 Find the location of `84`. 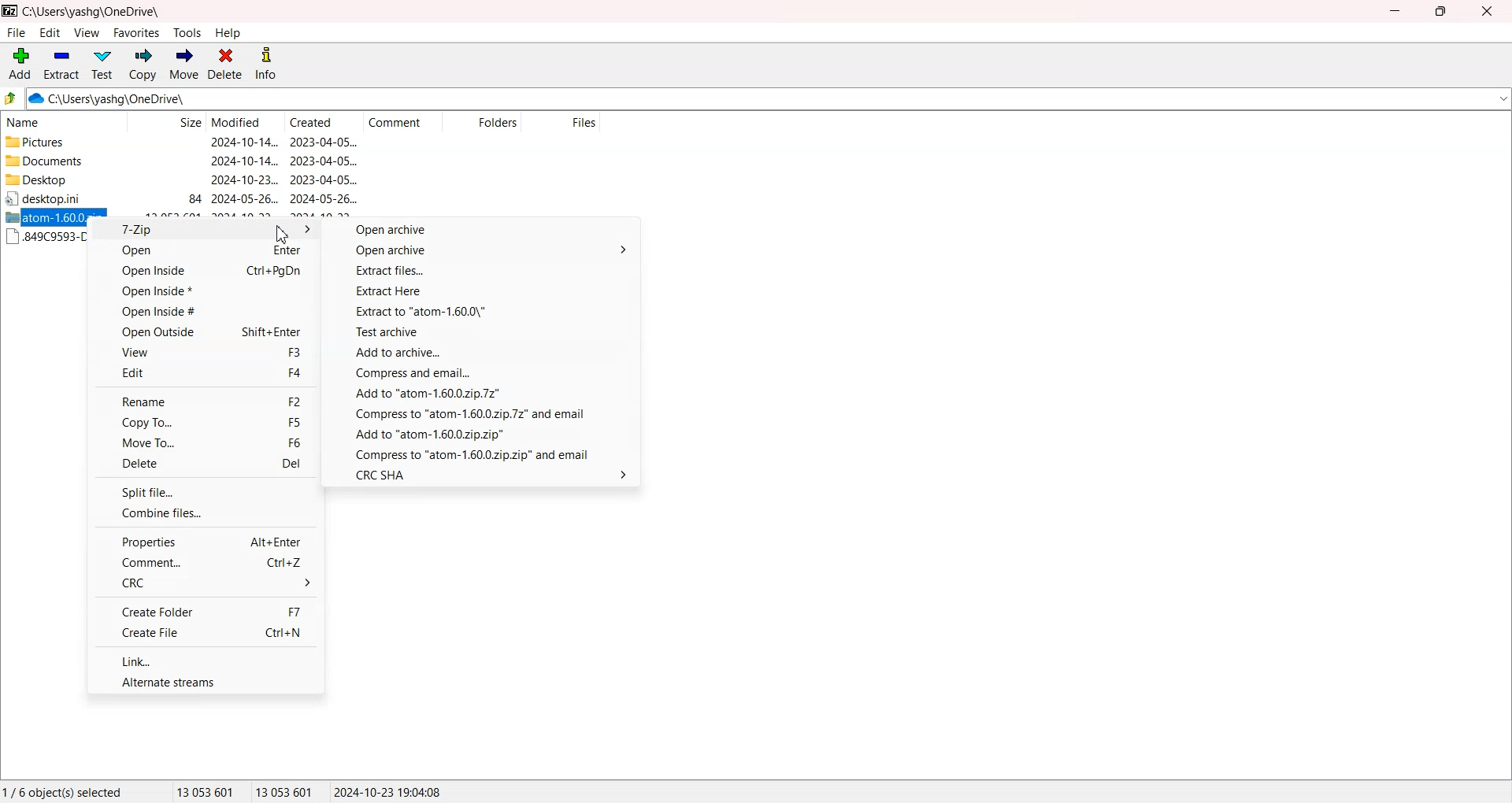

84 is located at coordinates (195, 199).